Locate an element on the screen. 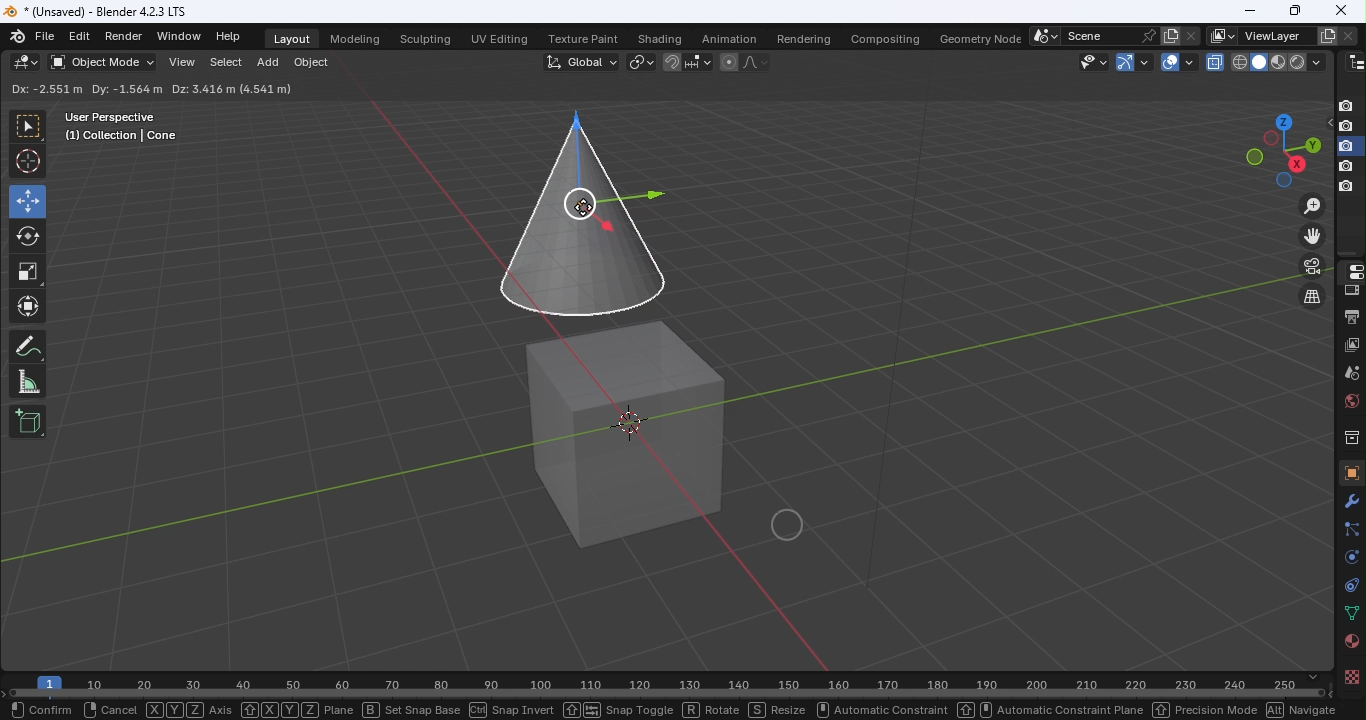 The height and width of the screenshot is (720, 1366). Measurement is located at coordinates (28, 383).